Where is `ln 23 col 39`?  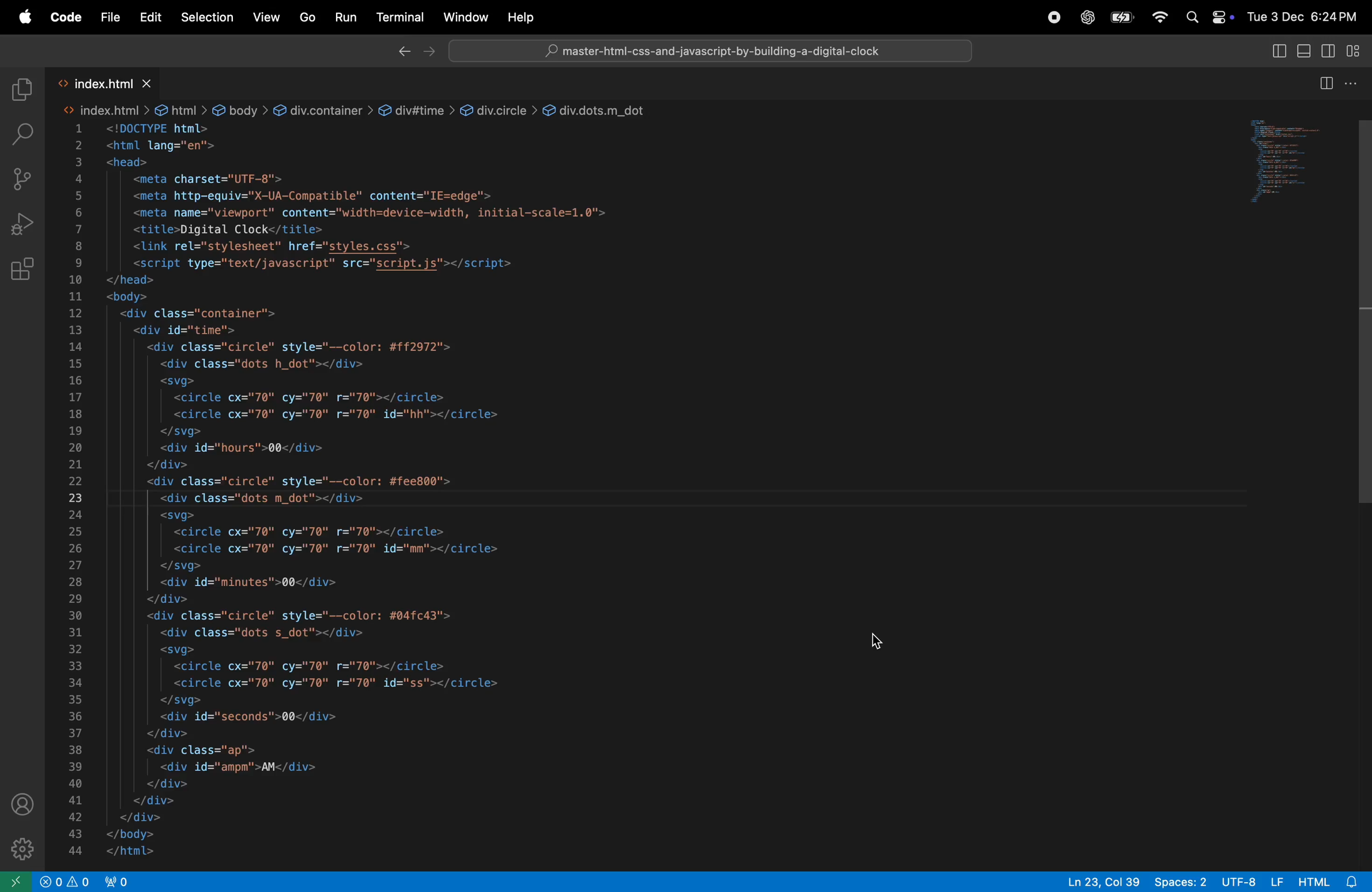 ln 23 col 39 is located at coordinates (1102, 880).